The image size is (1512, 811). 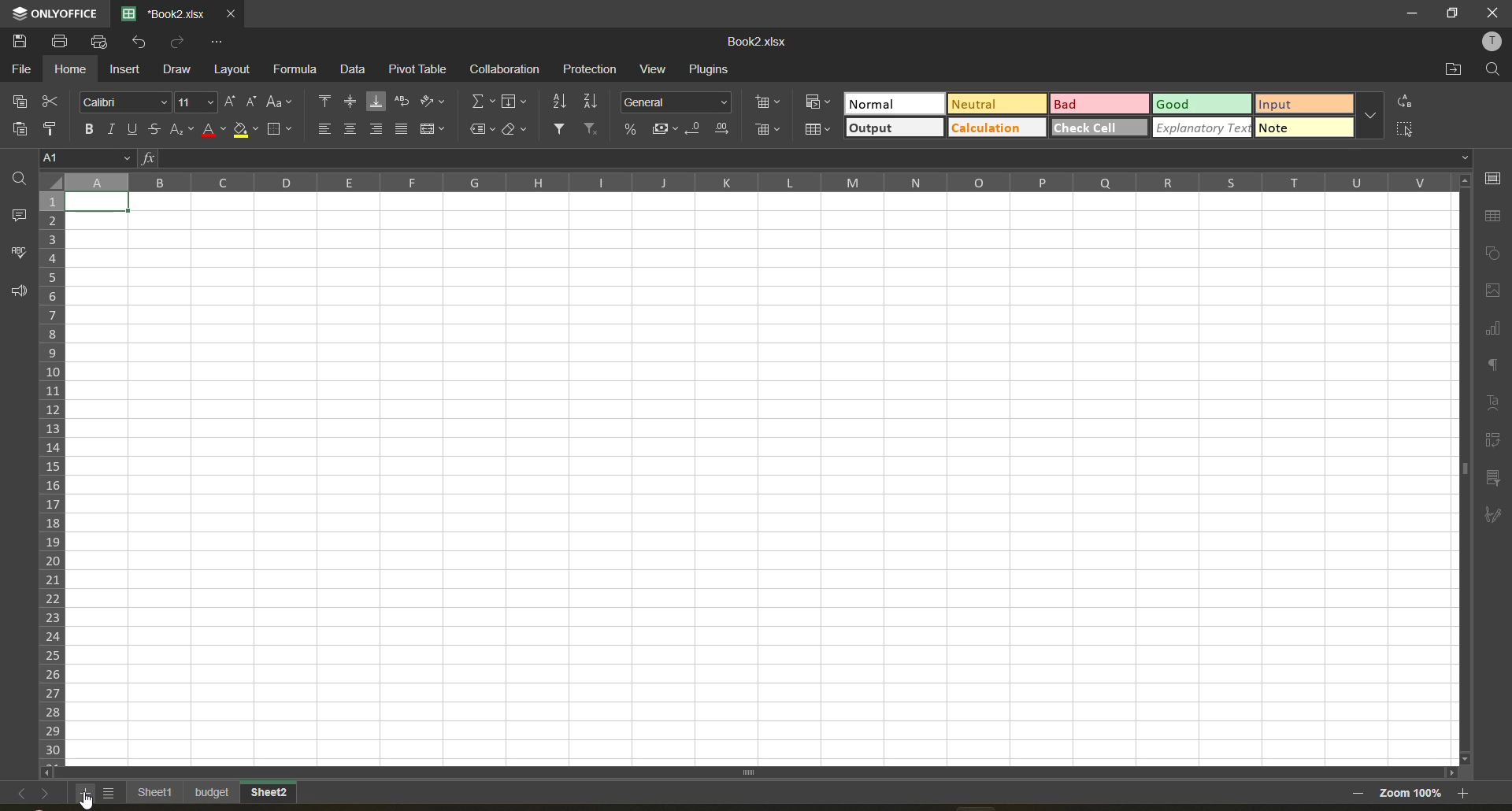 What do you see at coordinates (1493, 289) in the screenshot?
I see `images` at bounding box center [1493, 289].